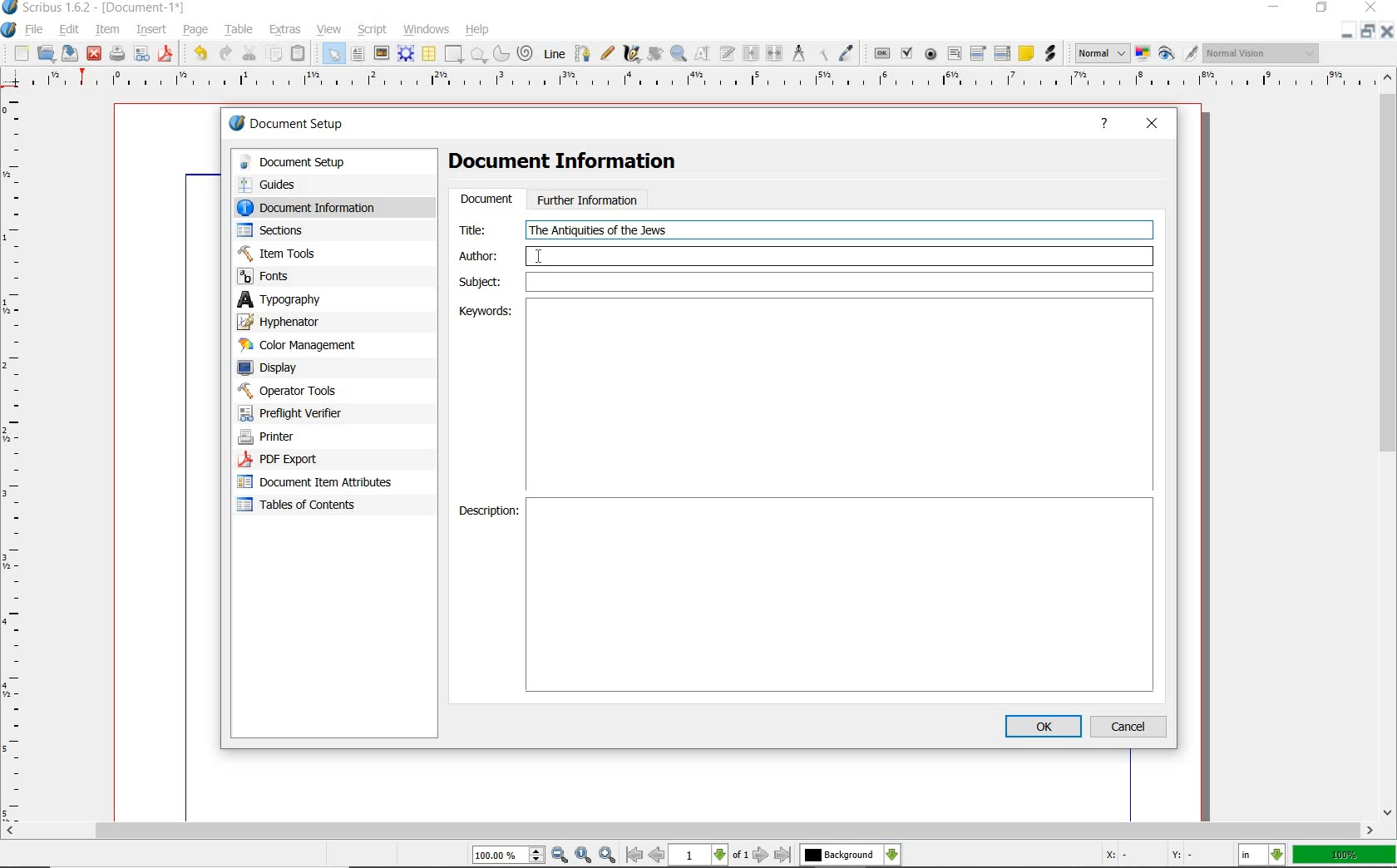 The image size is (1397, 868). I want to click on minimize, so click(1272, 7).